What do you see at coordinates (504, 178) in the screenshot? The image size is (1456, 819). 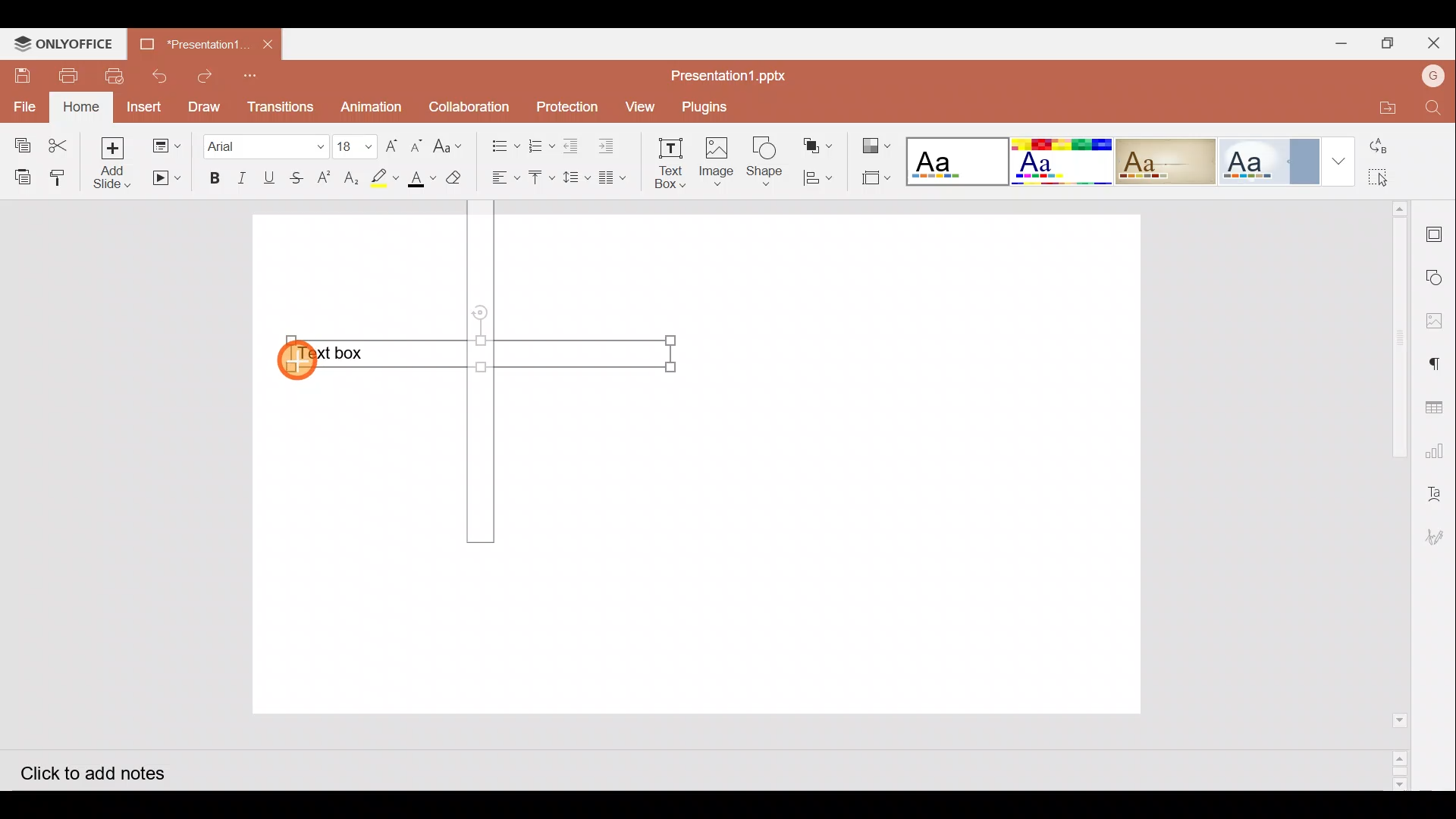 I see `Horizontal align` at bounding box center [504, 178].